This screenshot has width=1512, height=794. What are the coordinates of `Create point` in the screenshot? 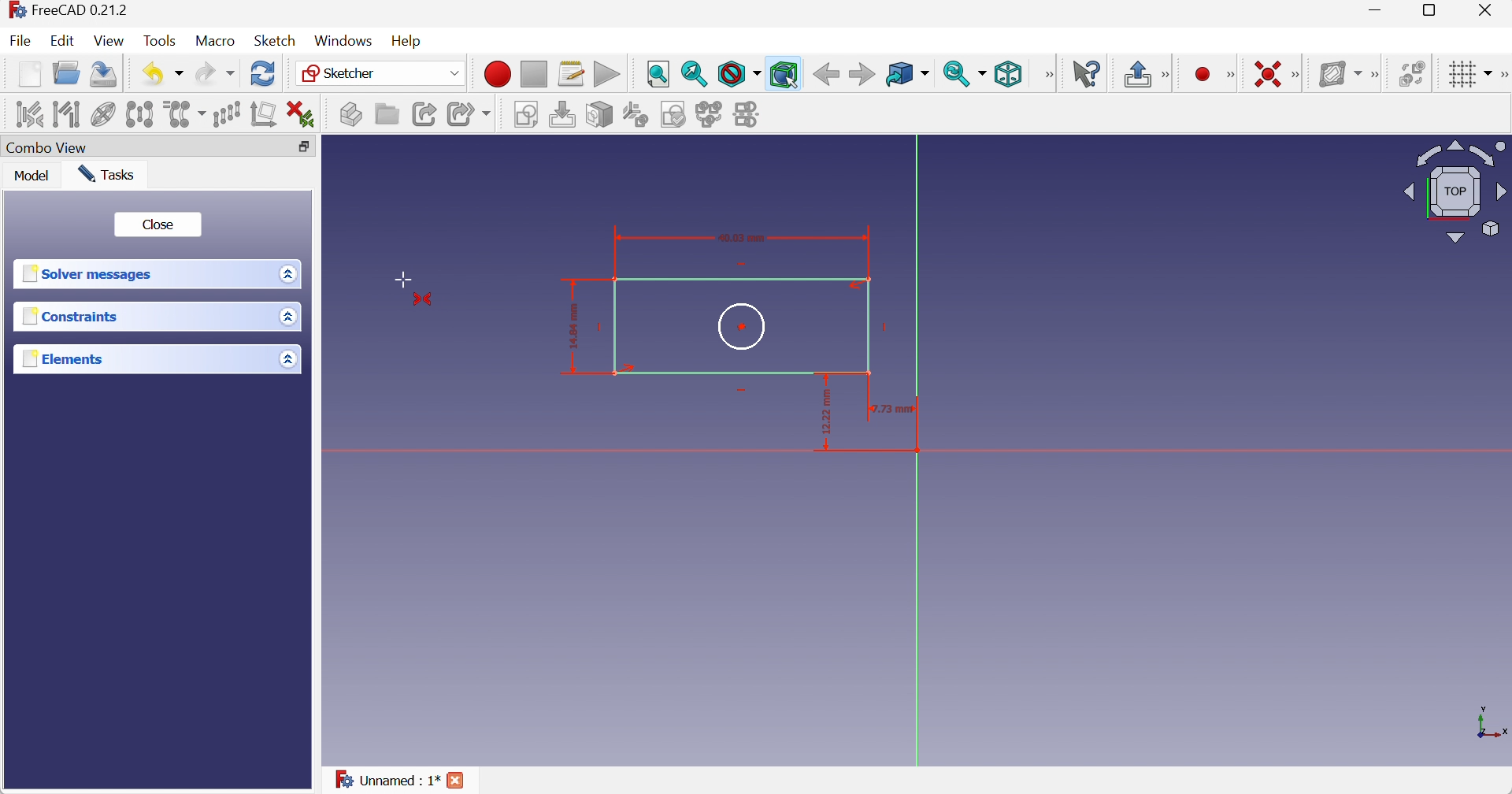 It's located at (1203, 75).